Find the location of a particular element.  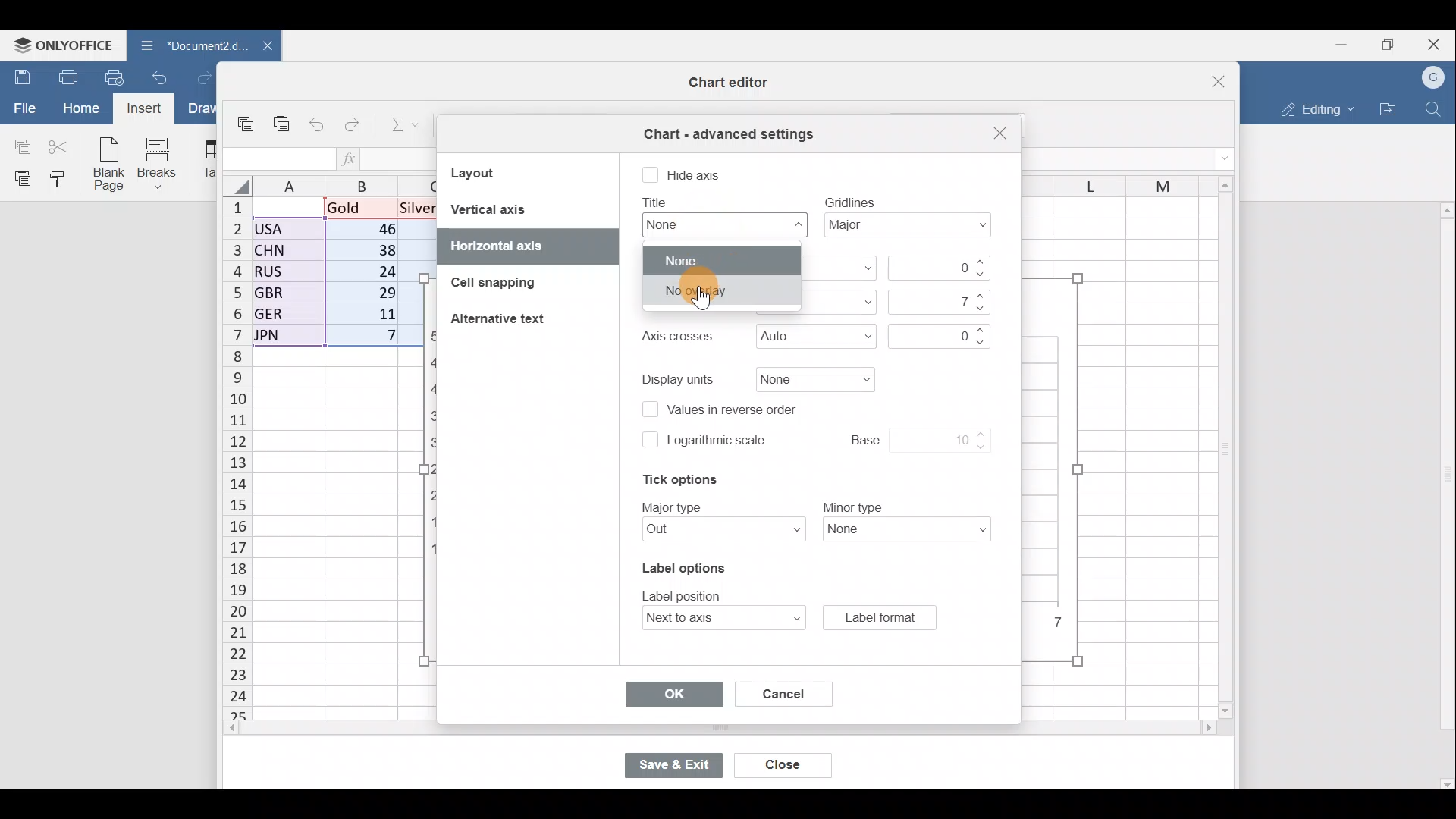

Document2.d is located at coordinates (184, 45).